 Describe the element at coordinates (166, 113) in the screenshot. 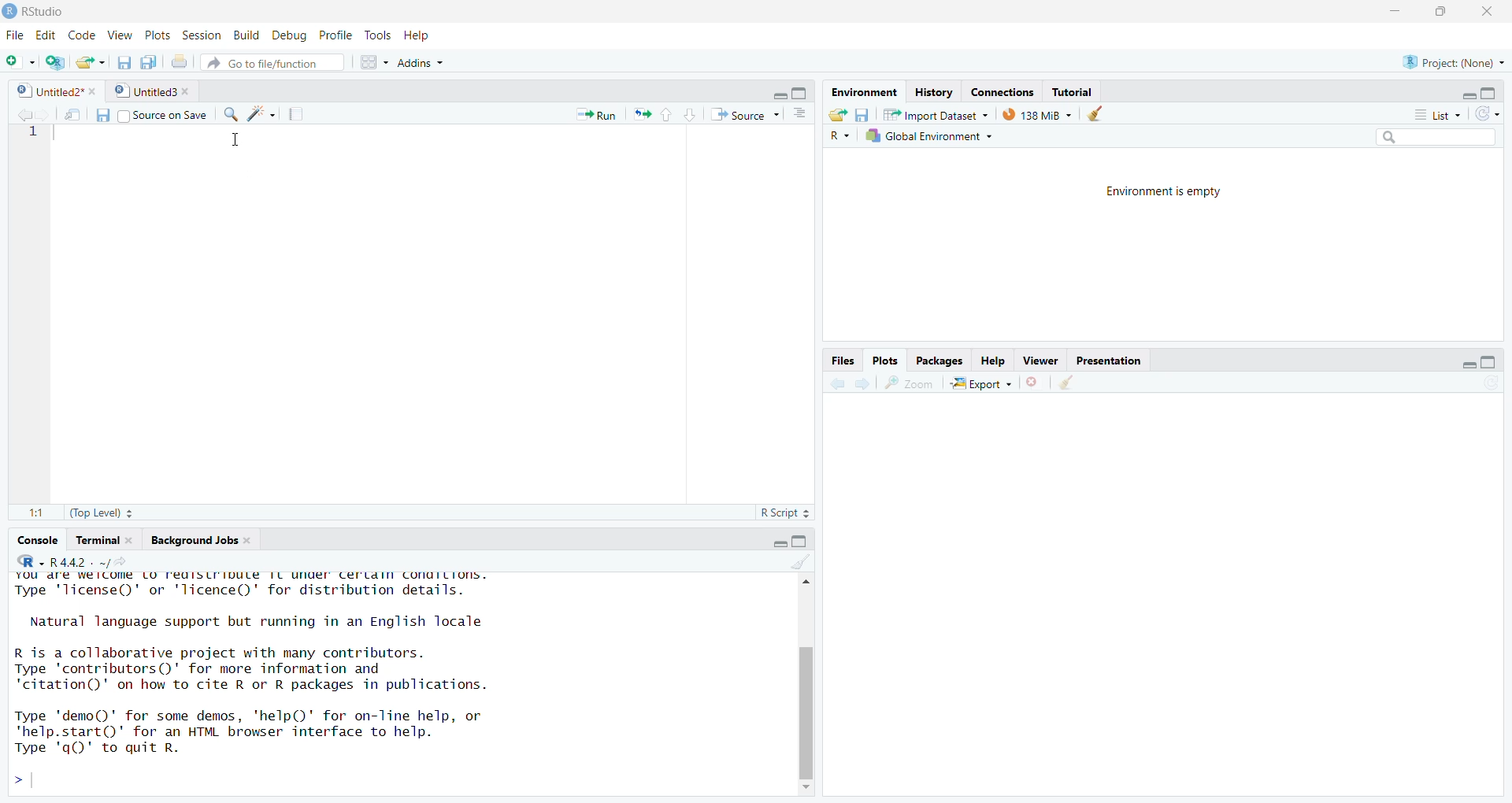

I see `Source on Save` at that location.